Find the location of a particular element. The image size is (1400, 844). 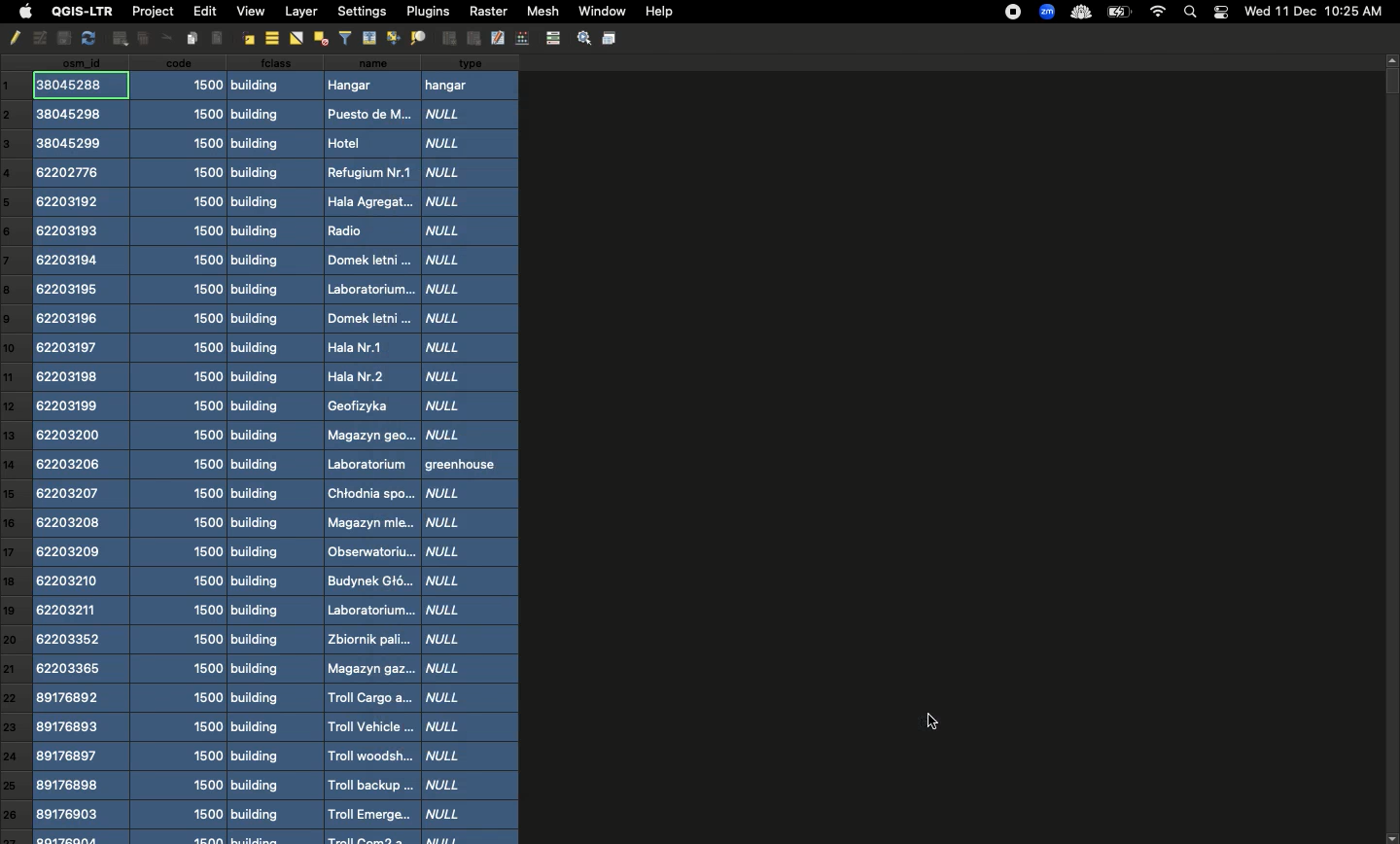

Group Objects is located at coordinates (448, 38).